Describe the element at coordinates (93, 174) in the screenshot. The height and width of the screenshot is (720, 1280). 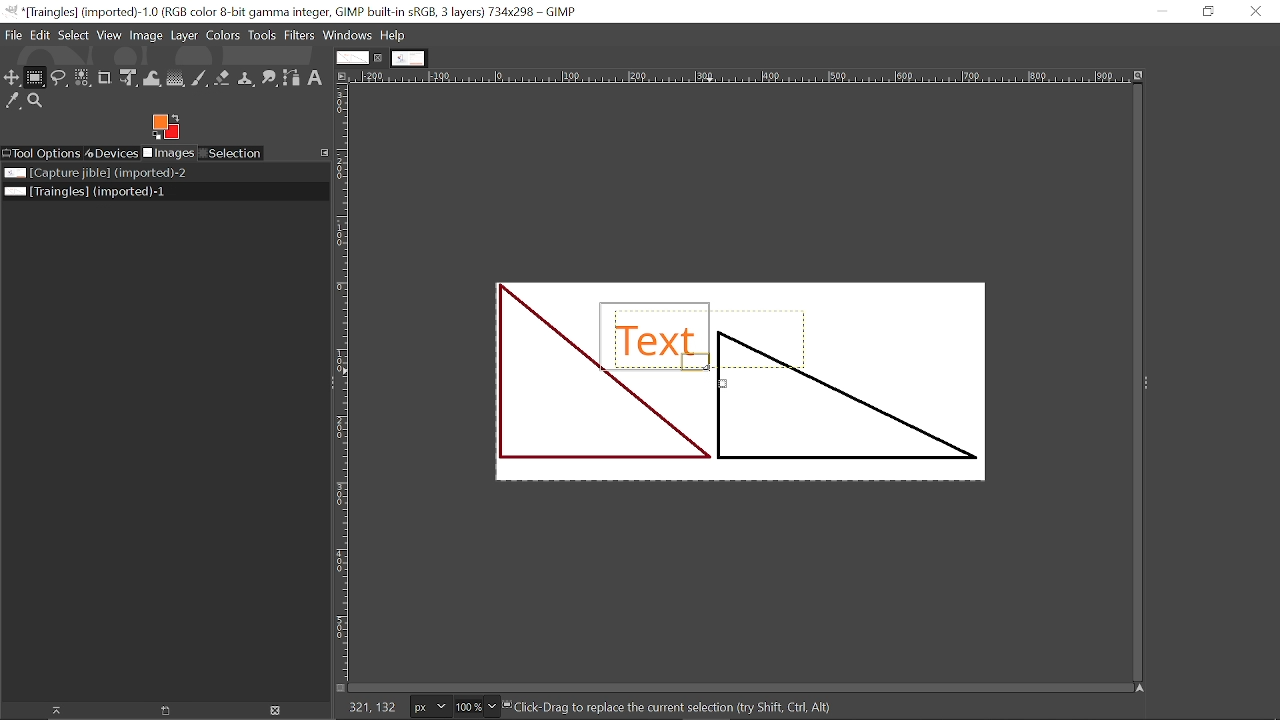
I see `Image file titled "Capture jible"` at that location.